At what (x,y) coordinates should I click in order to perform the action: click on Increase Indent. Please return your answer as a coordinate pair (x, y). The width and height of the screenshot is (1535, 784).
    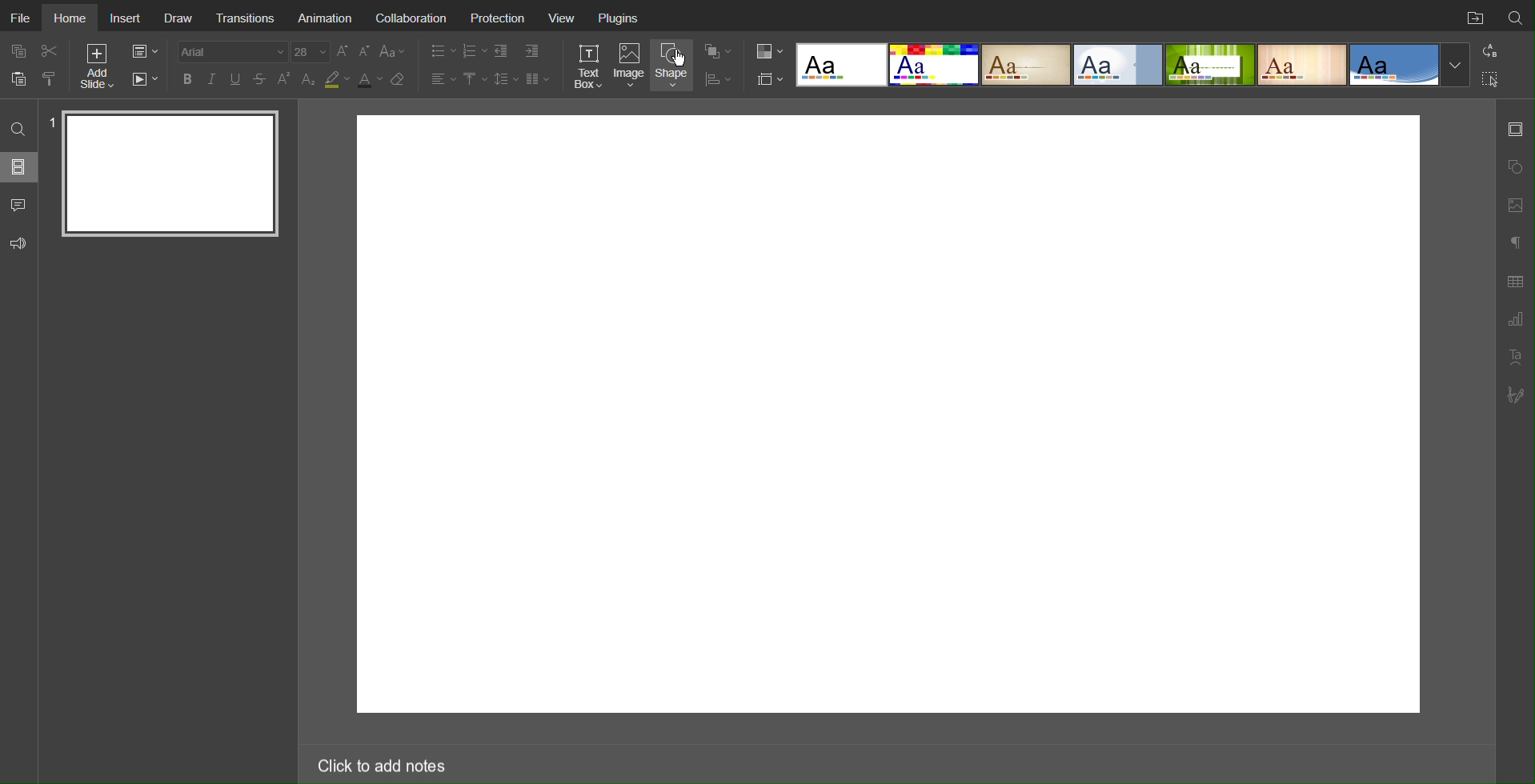
    Looking at the image, I should click on (531, 52).